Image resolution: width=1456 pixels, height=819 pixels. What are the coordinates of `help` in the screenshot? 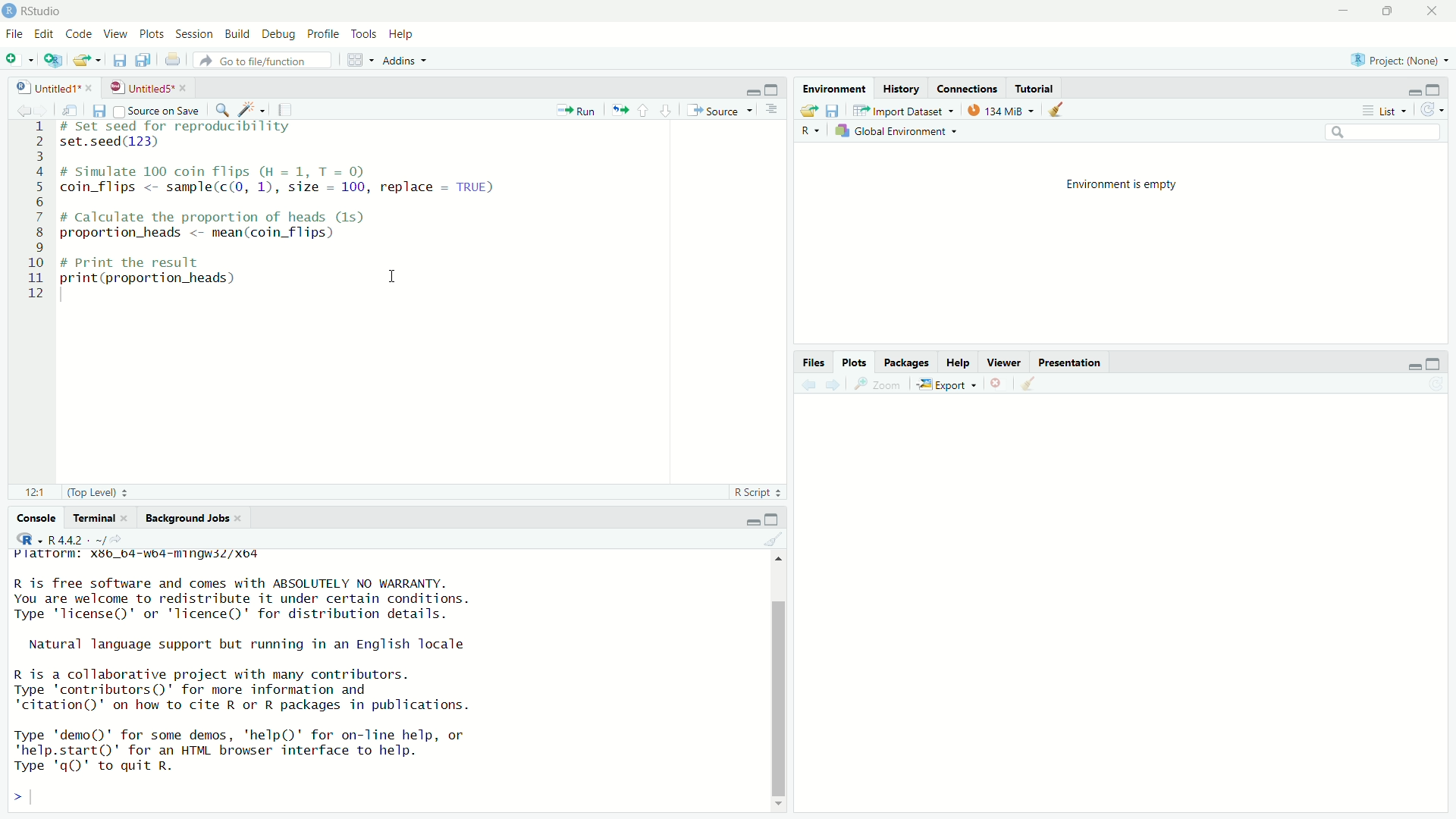 It's located at (404, 33).